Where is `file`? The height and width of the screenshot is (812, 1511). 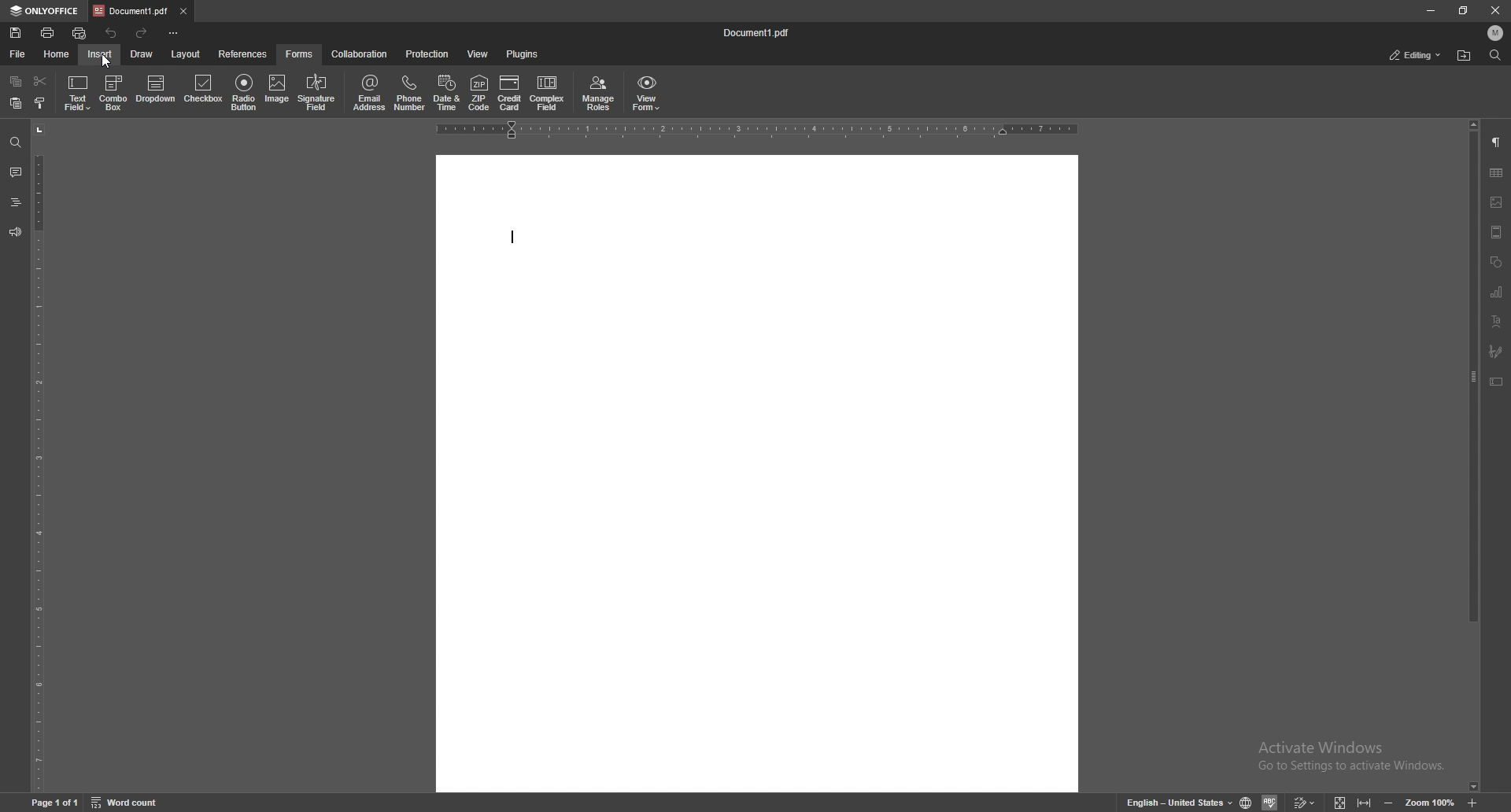
file is located at coordinates (17, 54).